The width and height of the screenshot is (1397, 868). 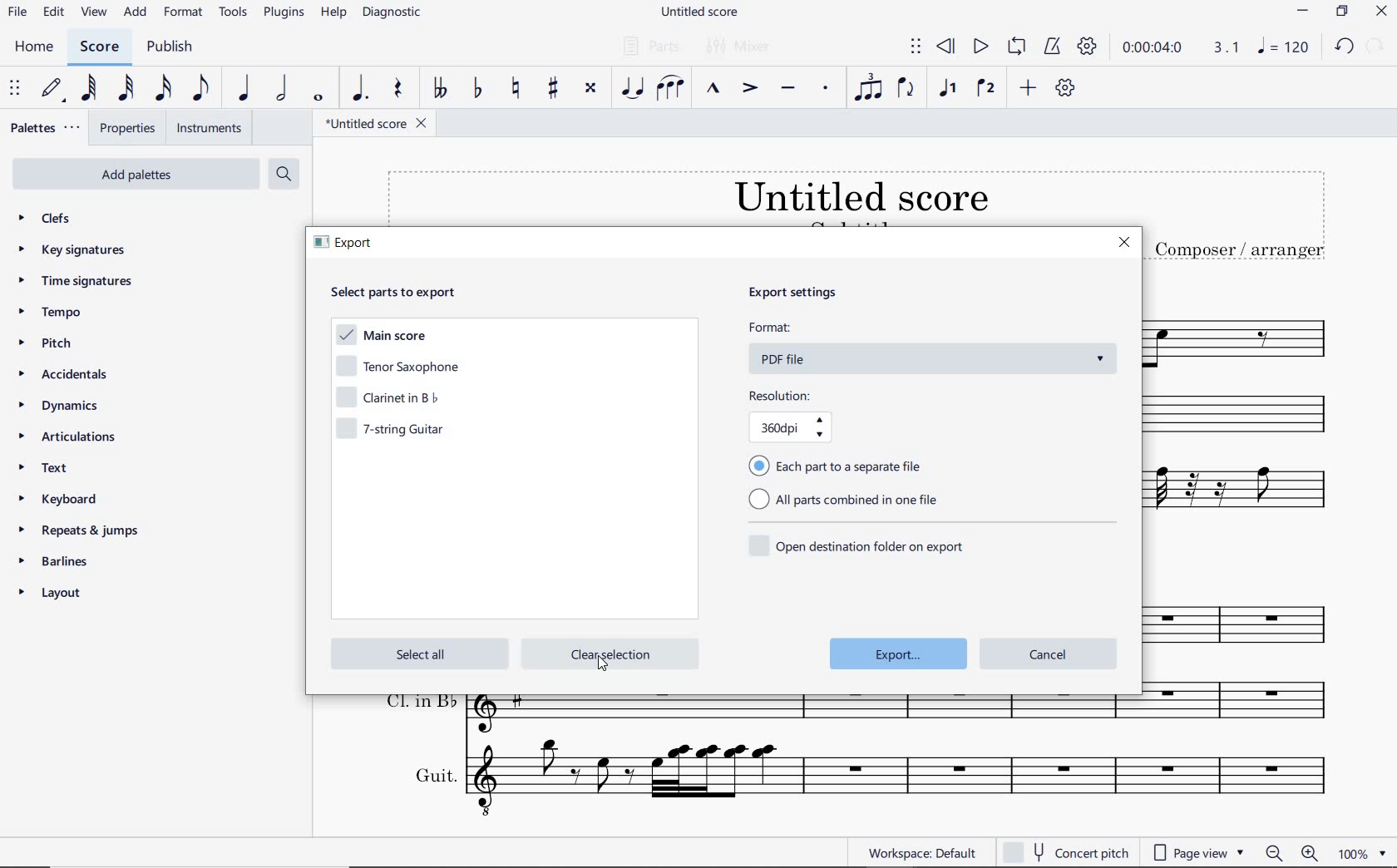 What do you see at coordinates (282, 90) in the screenshot?
I see `HALF NOTE` at bounding box center [282, 90].